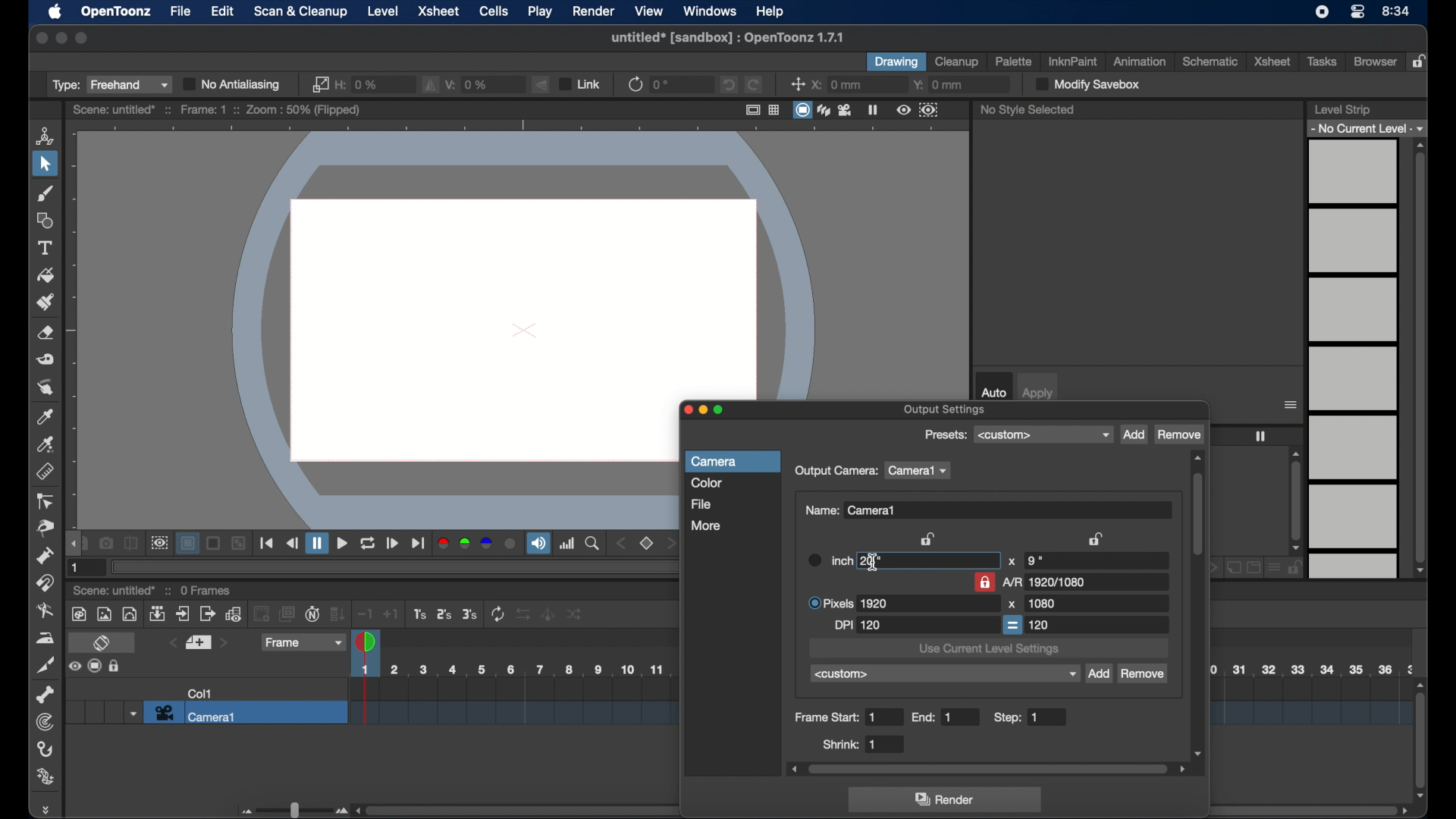 This screenshot has width=1456, height=819. Describe the element at coordinates (217, 110) in the screenshot. I see `scene` at that location.